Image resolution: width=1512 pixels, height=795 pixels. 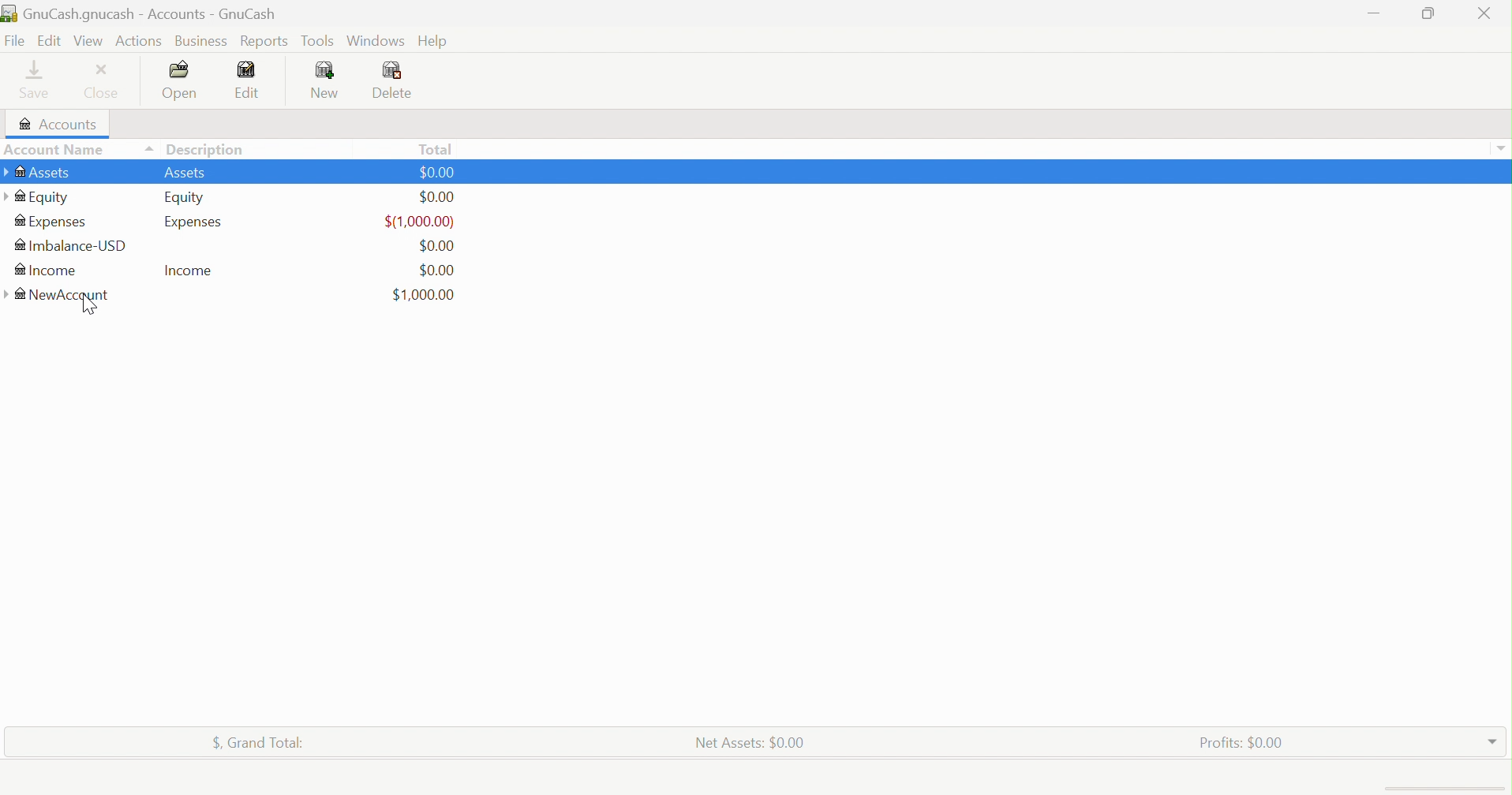 I want to click on Assets, so click(x=186, y=174).